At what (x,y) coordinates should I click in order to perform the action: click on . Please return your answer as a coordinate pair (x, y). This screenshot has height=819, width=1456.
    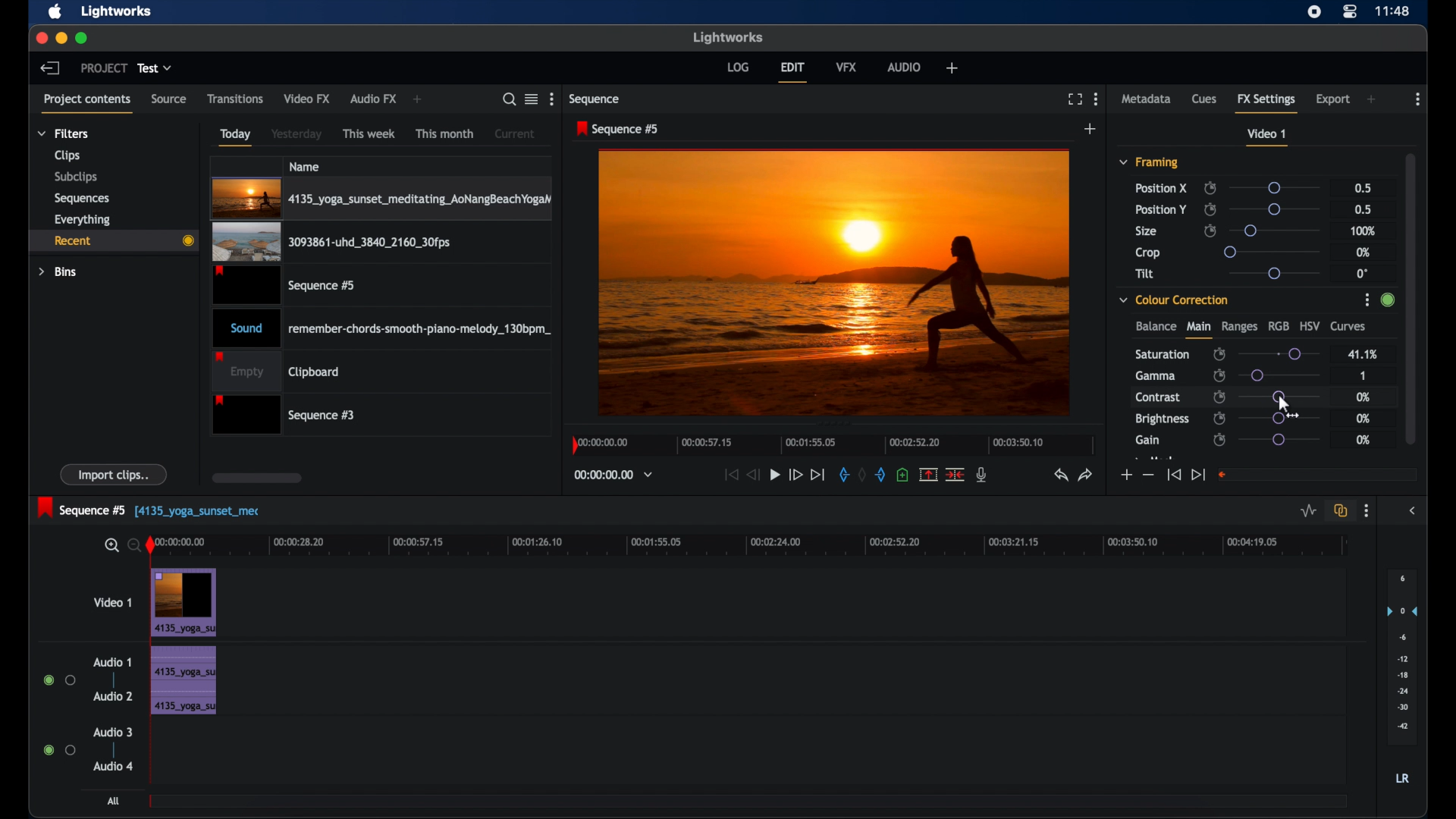
    Looking at the image, I should click on (1200, 330).